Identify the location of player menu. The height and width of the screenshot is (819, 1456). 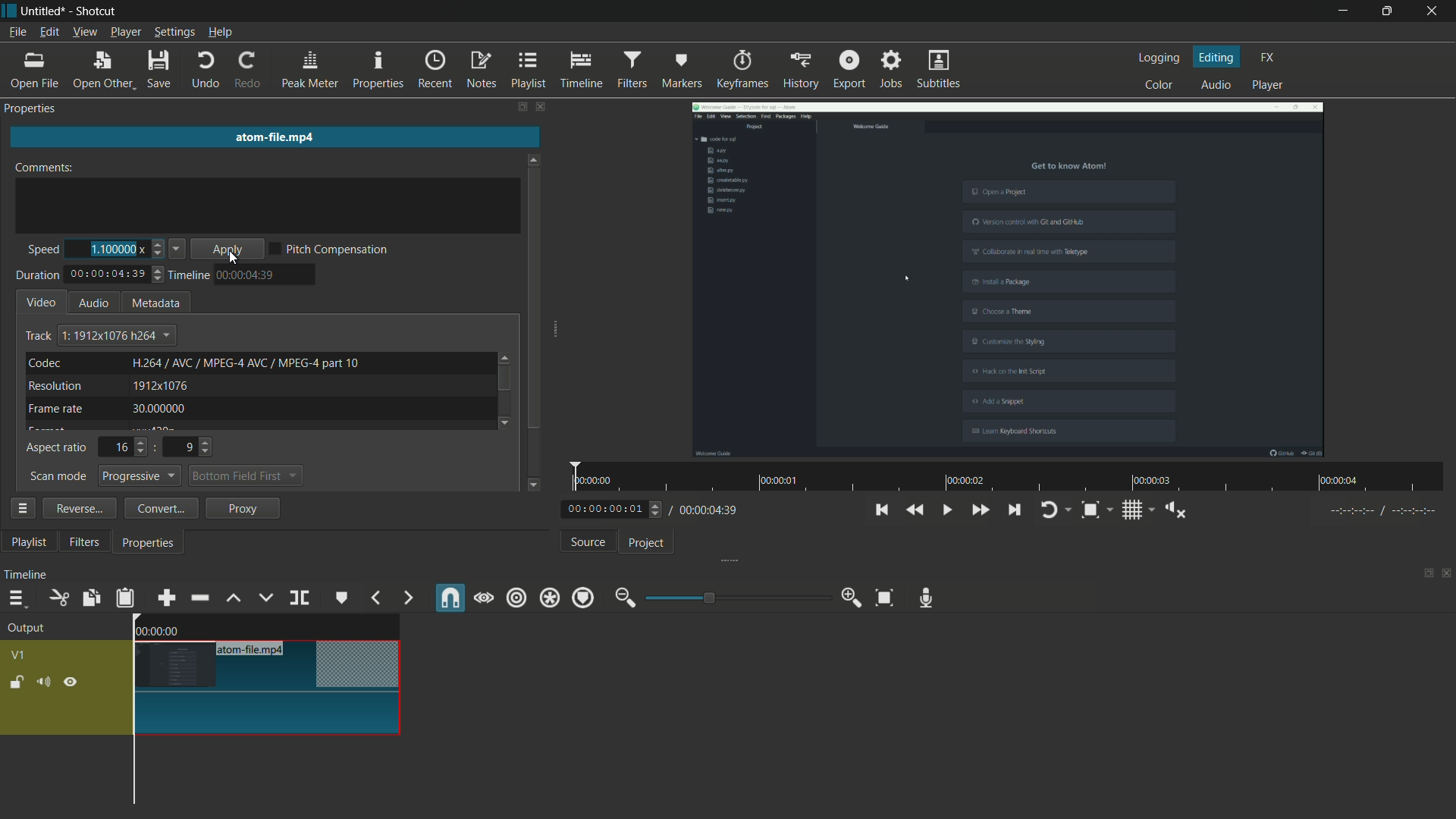
(126, 33).